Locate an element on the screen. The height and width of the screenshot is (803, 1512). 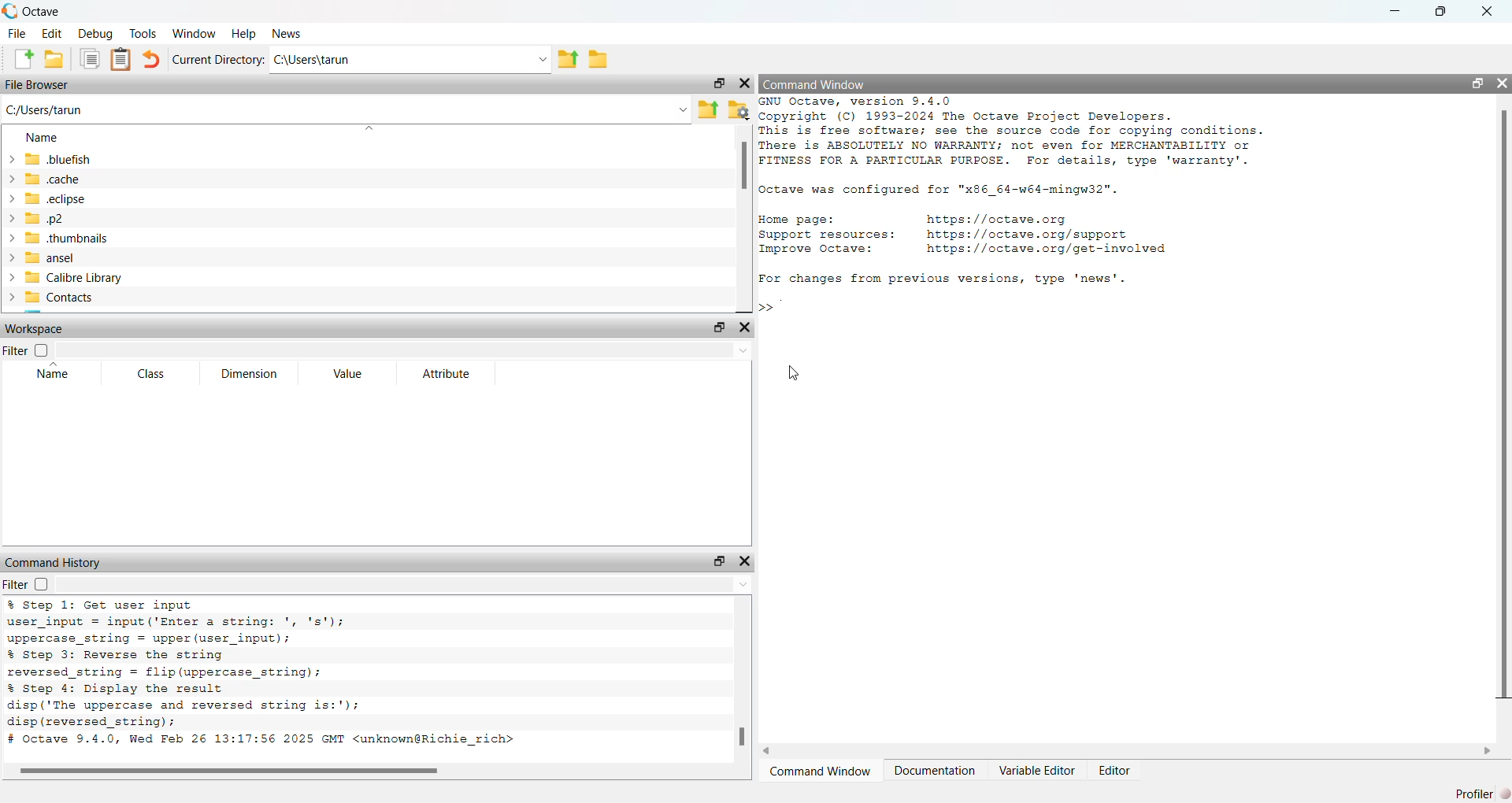
unlock widget is located at coordinates (1477, 83).